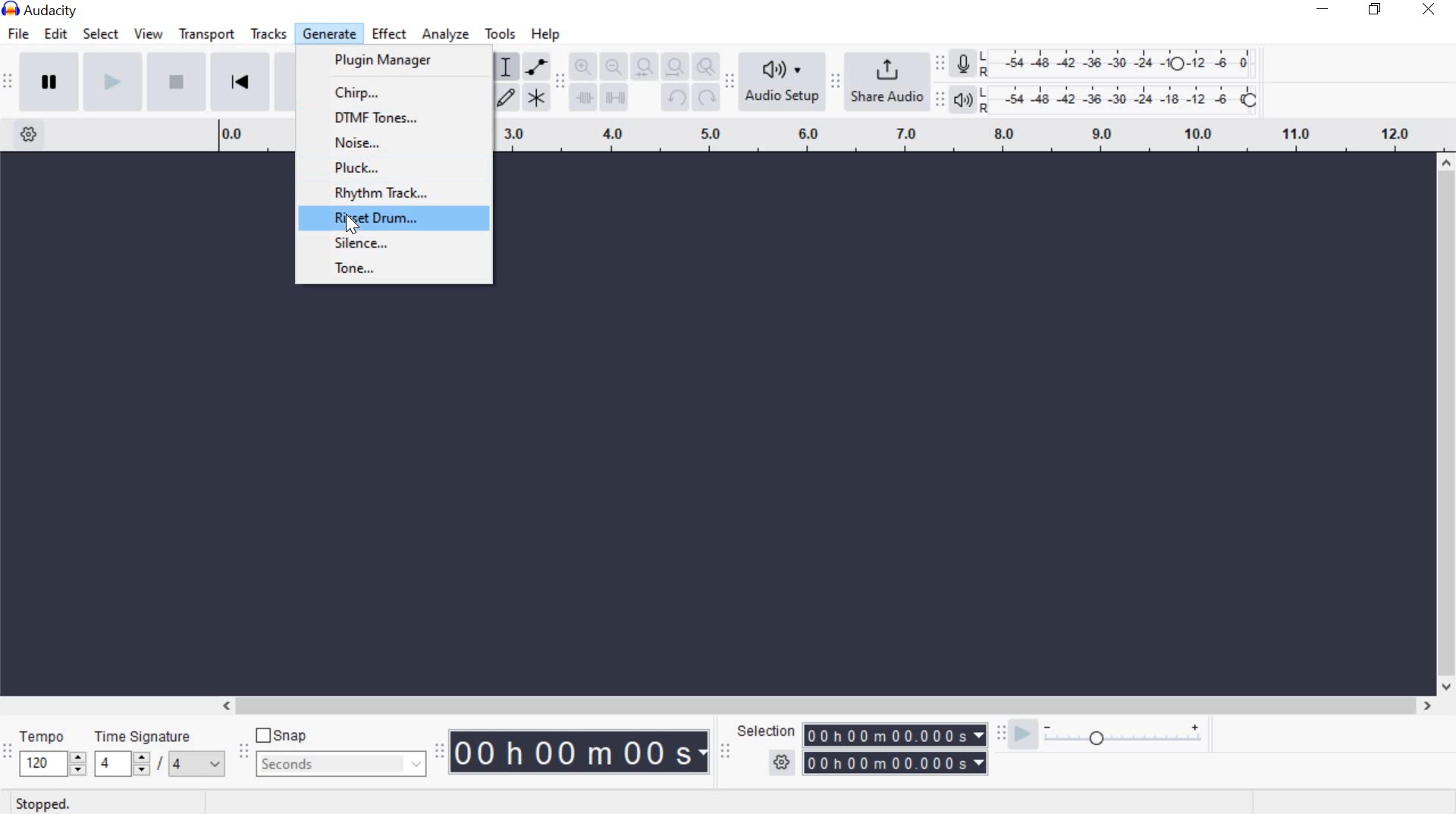 This screenshot has width=1456, height=814. Describe the element at coordinates (342, 765) in the screenshot. I see `seconds` at that location.